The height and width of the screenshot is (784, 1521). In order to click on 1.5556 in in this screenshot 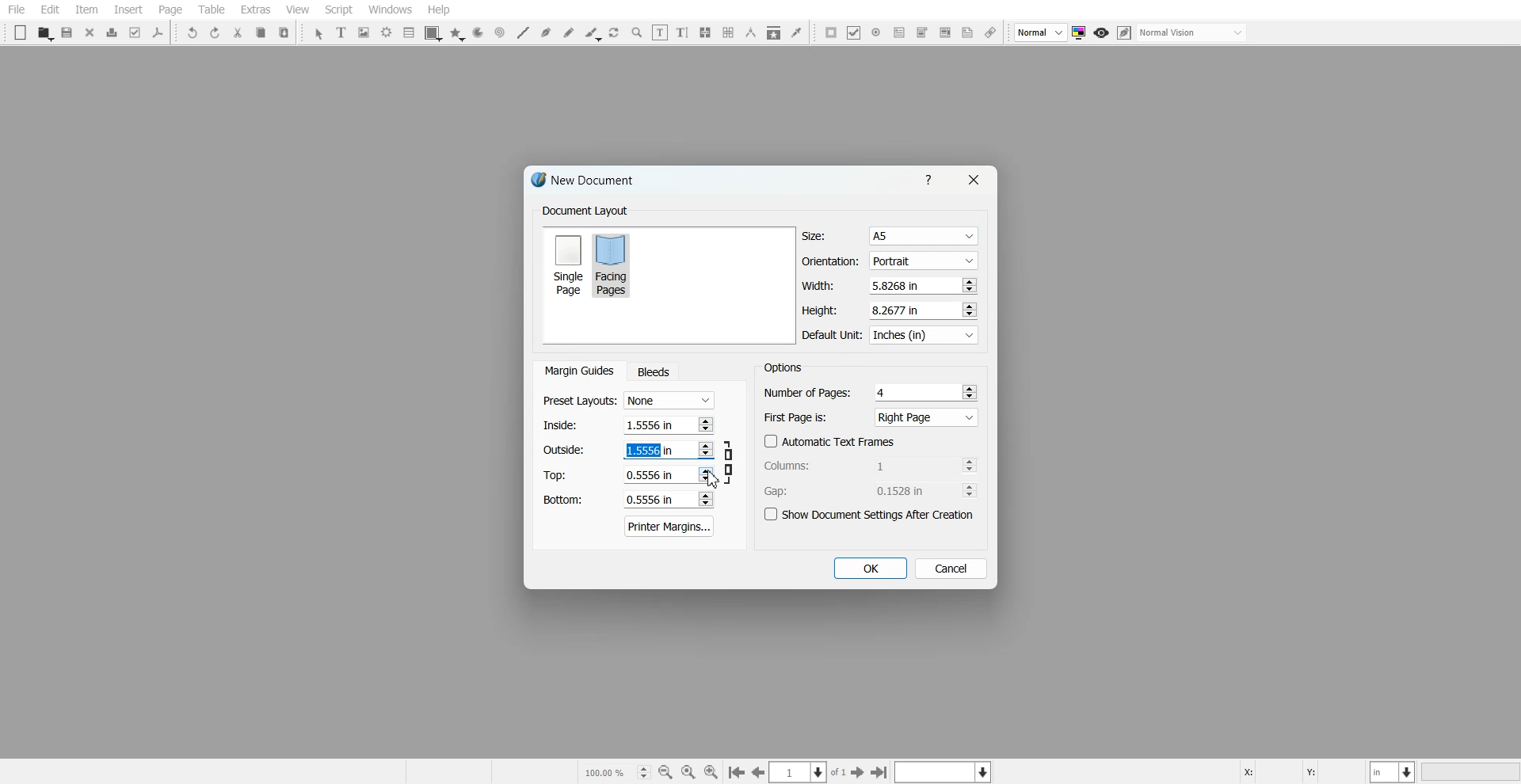, I will do `click(649, 424)`.